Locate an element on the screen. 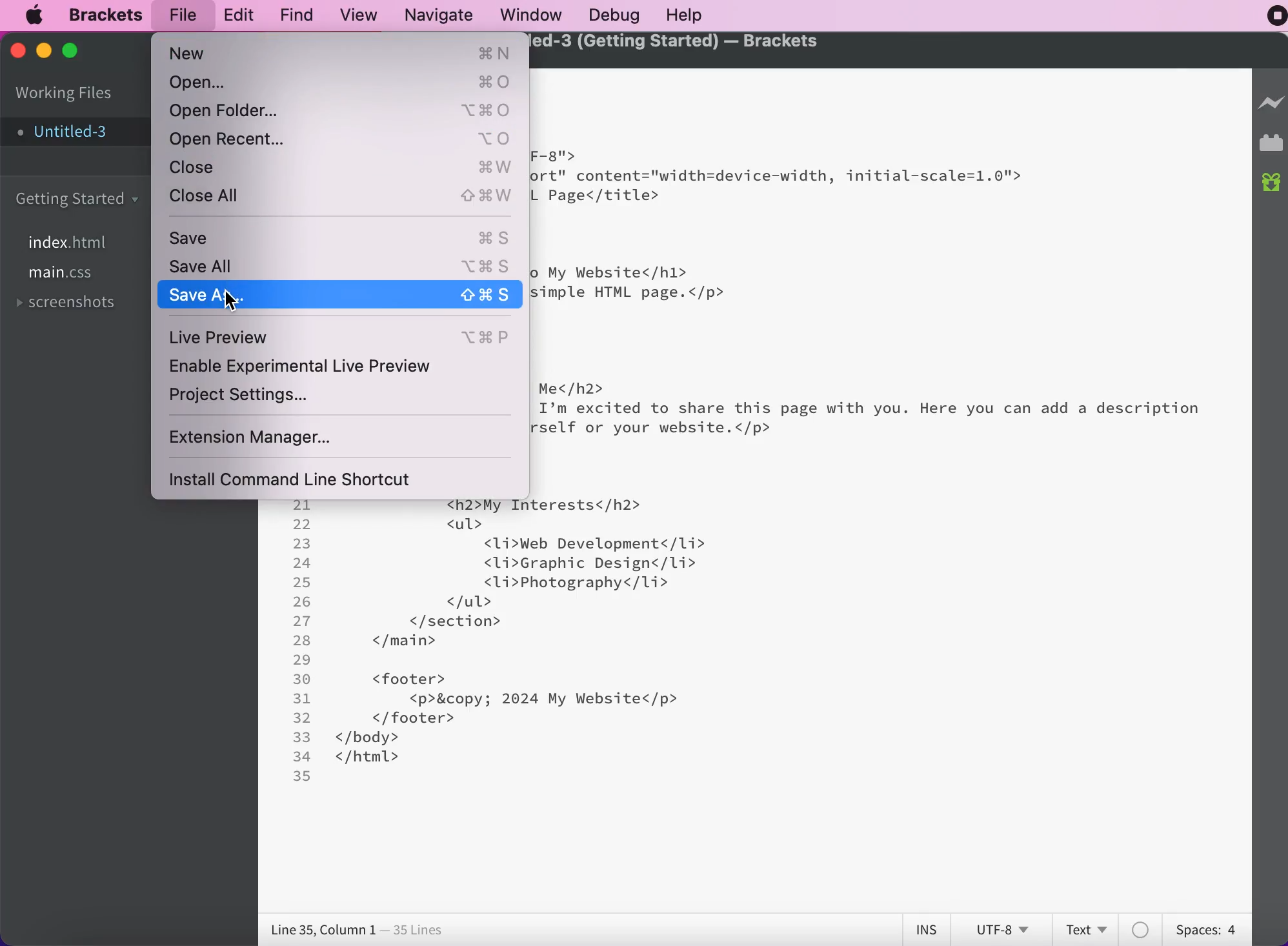  extension manager is located at coordinates (1271, 142).